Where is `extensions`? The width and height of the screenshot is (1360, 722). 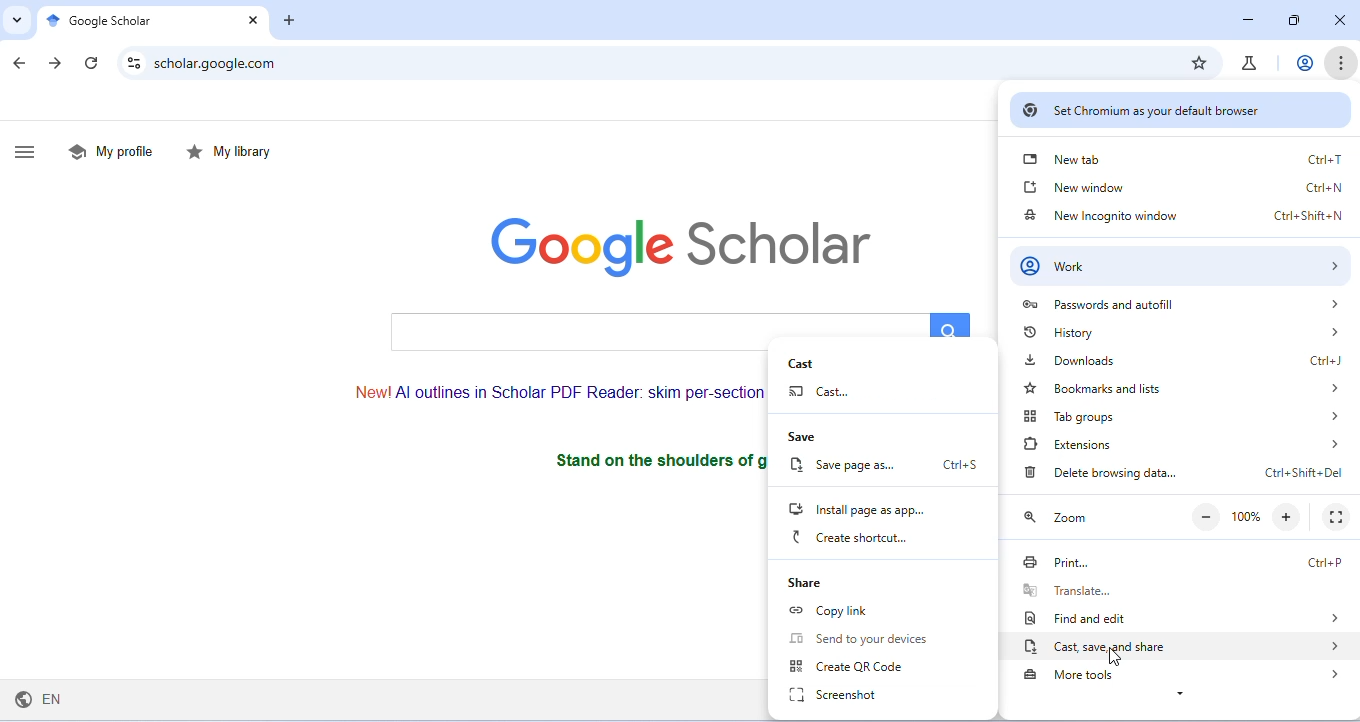 extensions is located at coordinates (1181, 444).